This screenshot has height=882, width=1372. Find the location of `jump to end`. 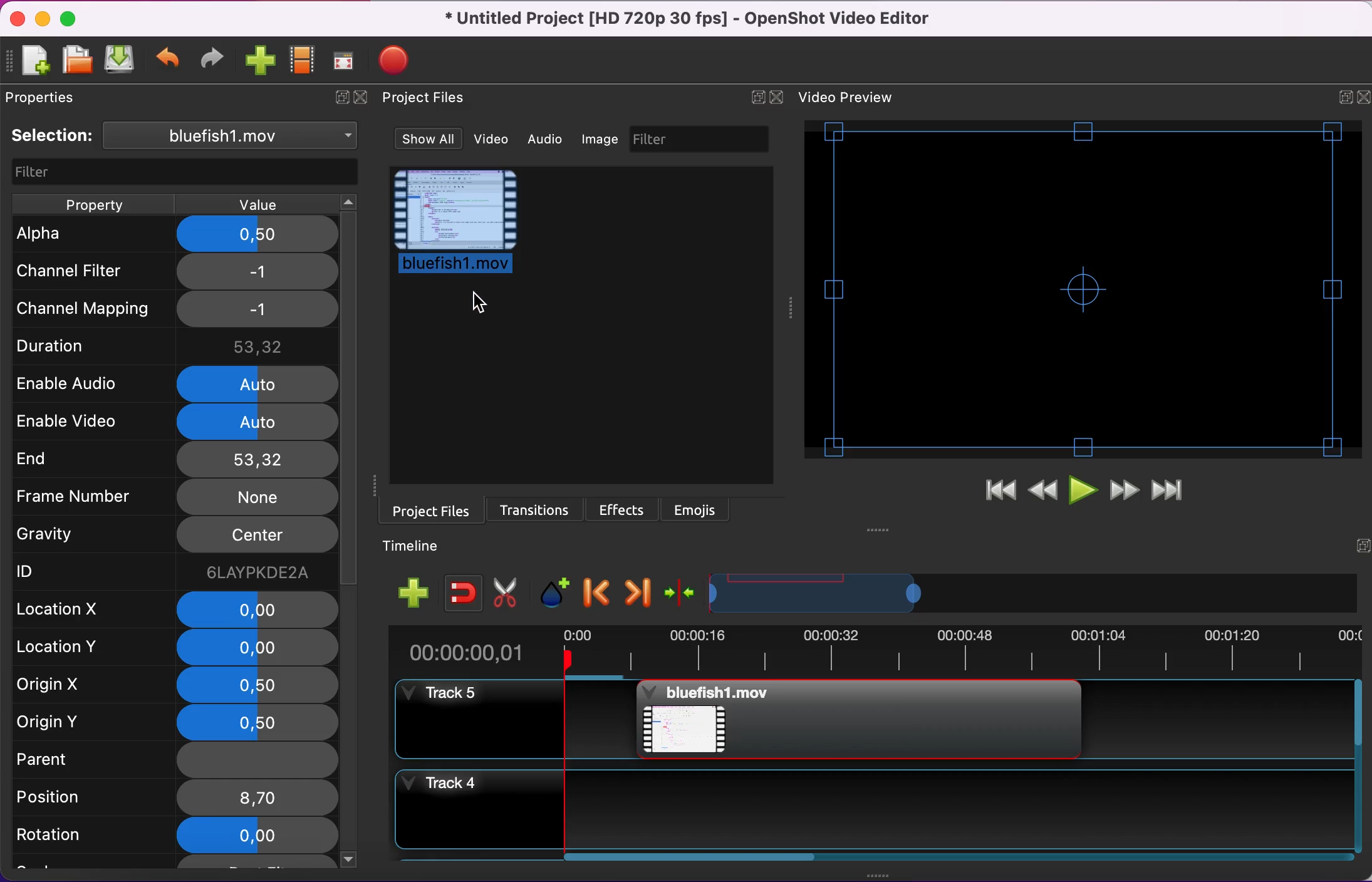

jump to end is located at coordinates (1177, 489).